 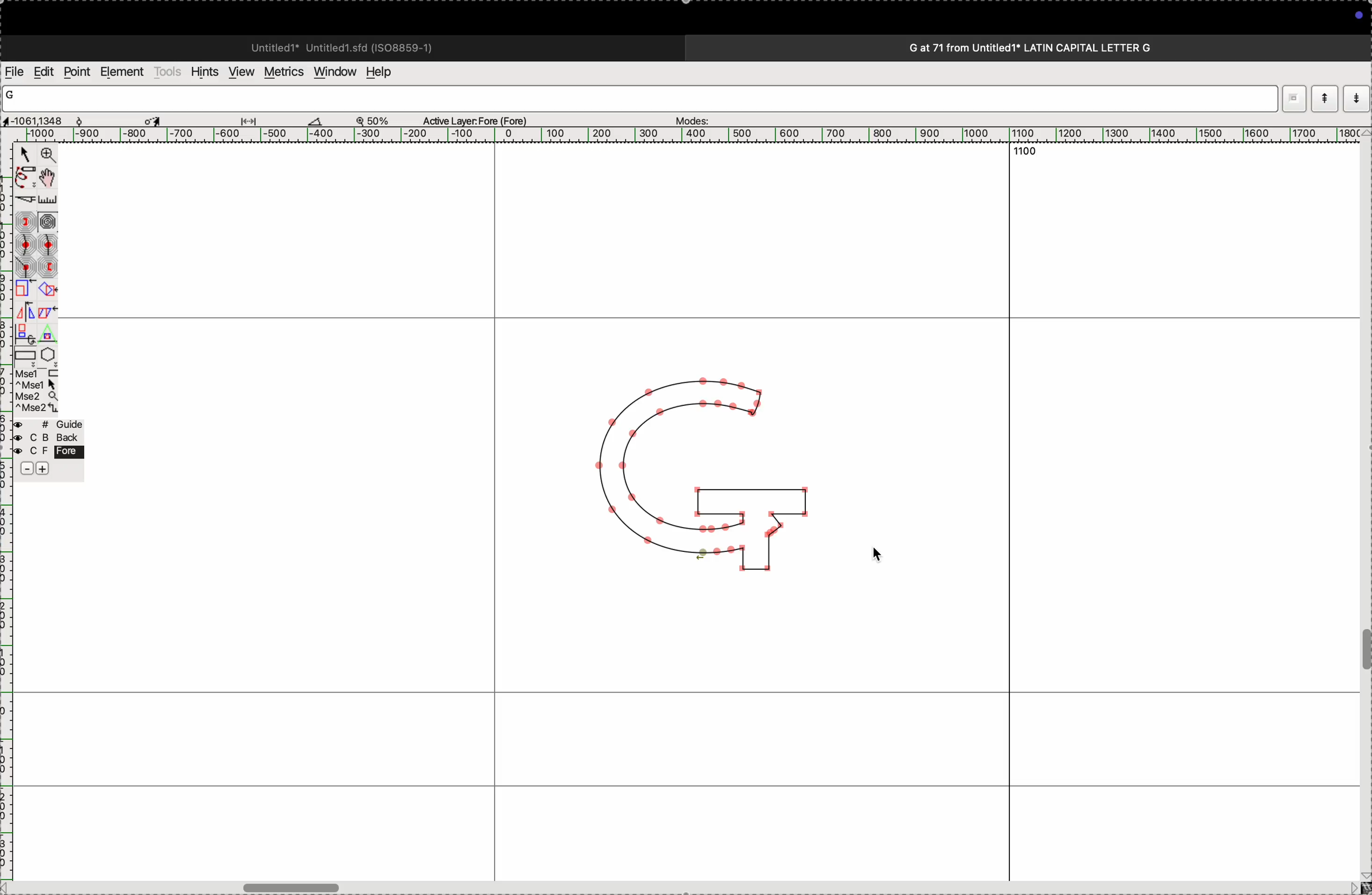 What do you see at coordinates (1358, 97) in the screenshot?
I see `show previous word list` at bounding box center [1358, 97].